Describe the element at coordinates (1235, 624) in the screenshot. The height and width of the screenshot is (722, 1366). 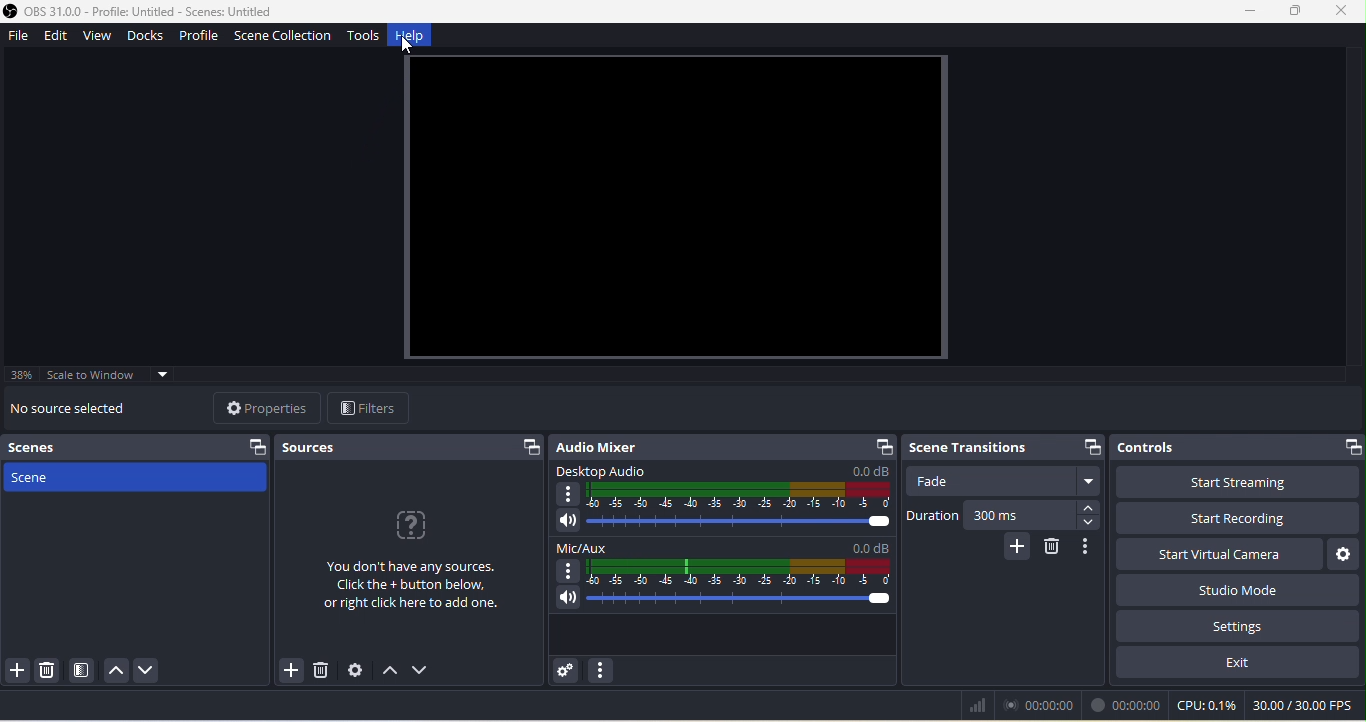
I see `settings` at that location.